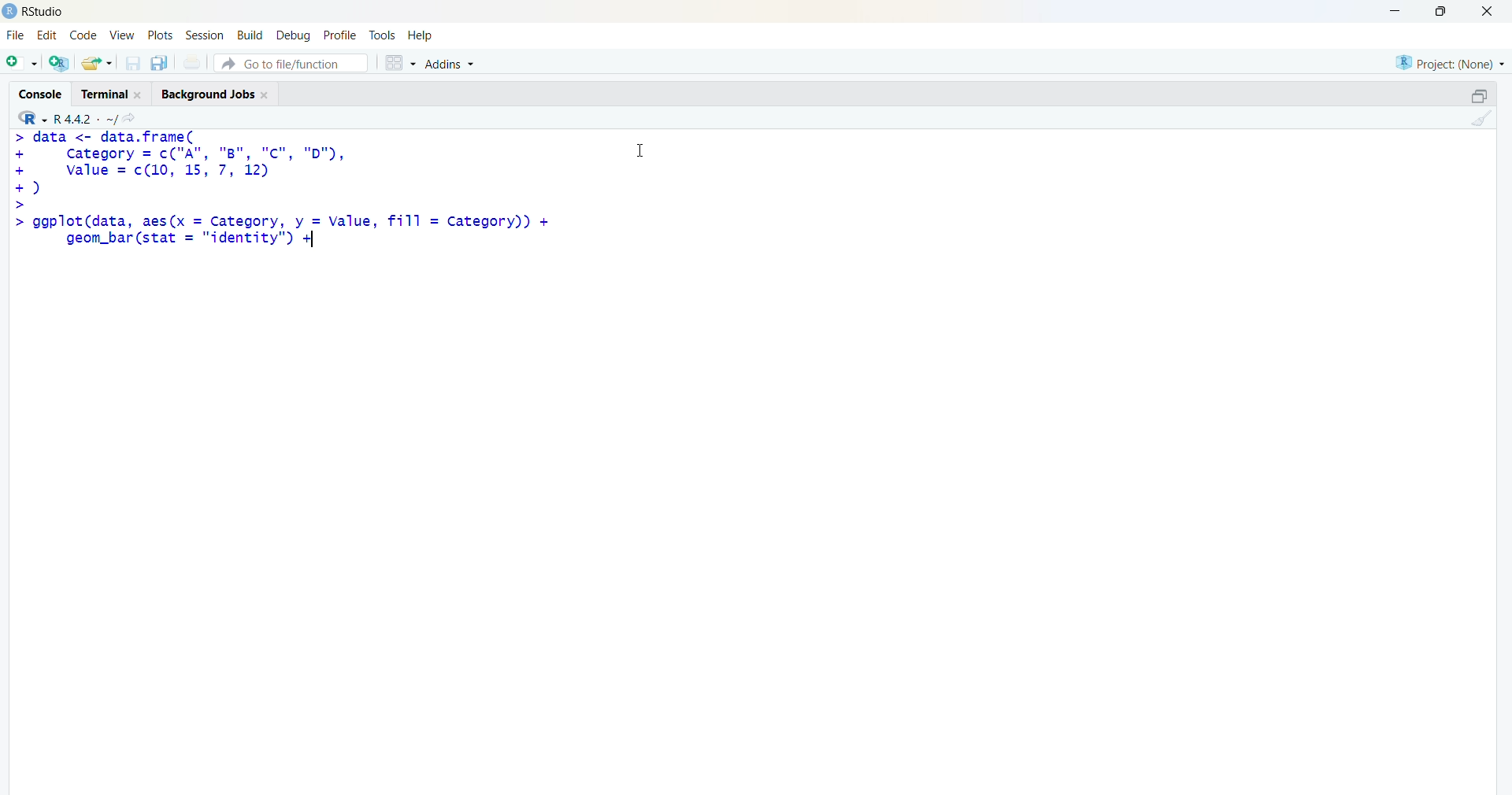 The height and width of the screenshot is (795, 1512). Describe the element at coordinates (1479, 96) in the screenshot. I see `maximize` at that location.